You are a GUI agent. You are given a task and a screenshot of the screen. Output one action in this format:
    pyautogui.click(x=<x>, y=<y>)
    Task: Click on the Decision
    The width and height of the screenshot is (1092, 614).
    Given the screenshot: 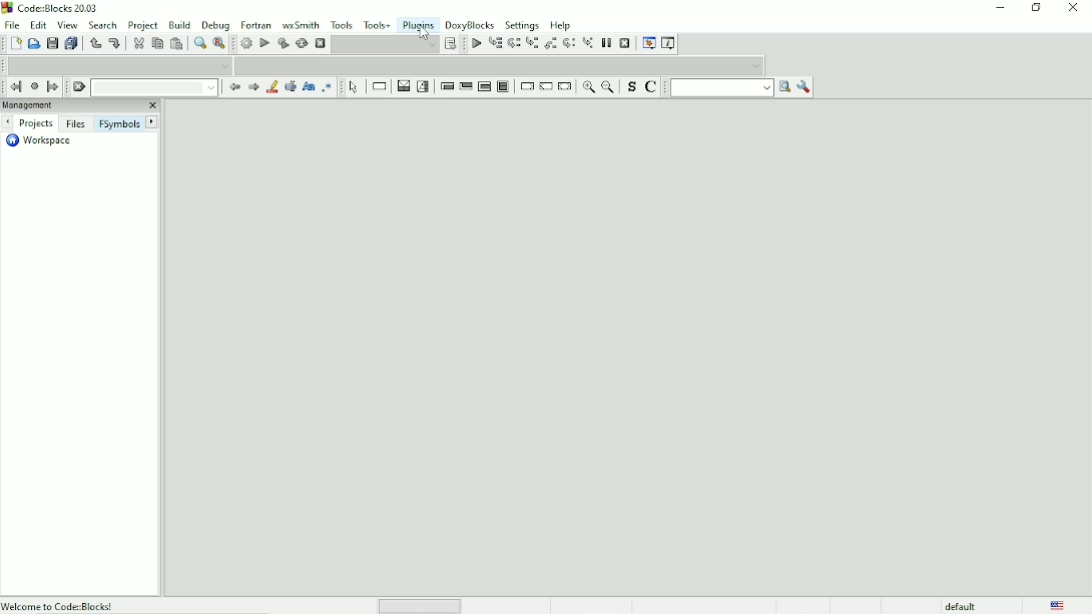 What is the action you would take?
    pyautogui.click(x=402, y=86)
    